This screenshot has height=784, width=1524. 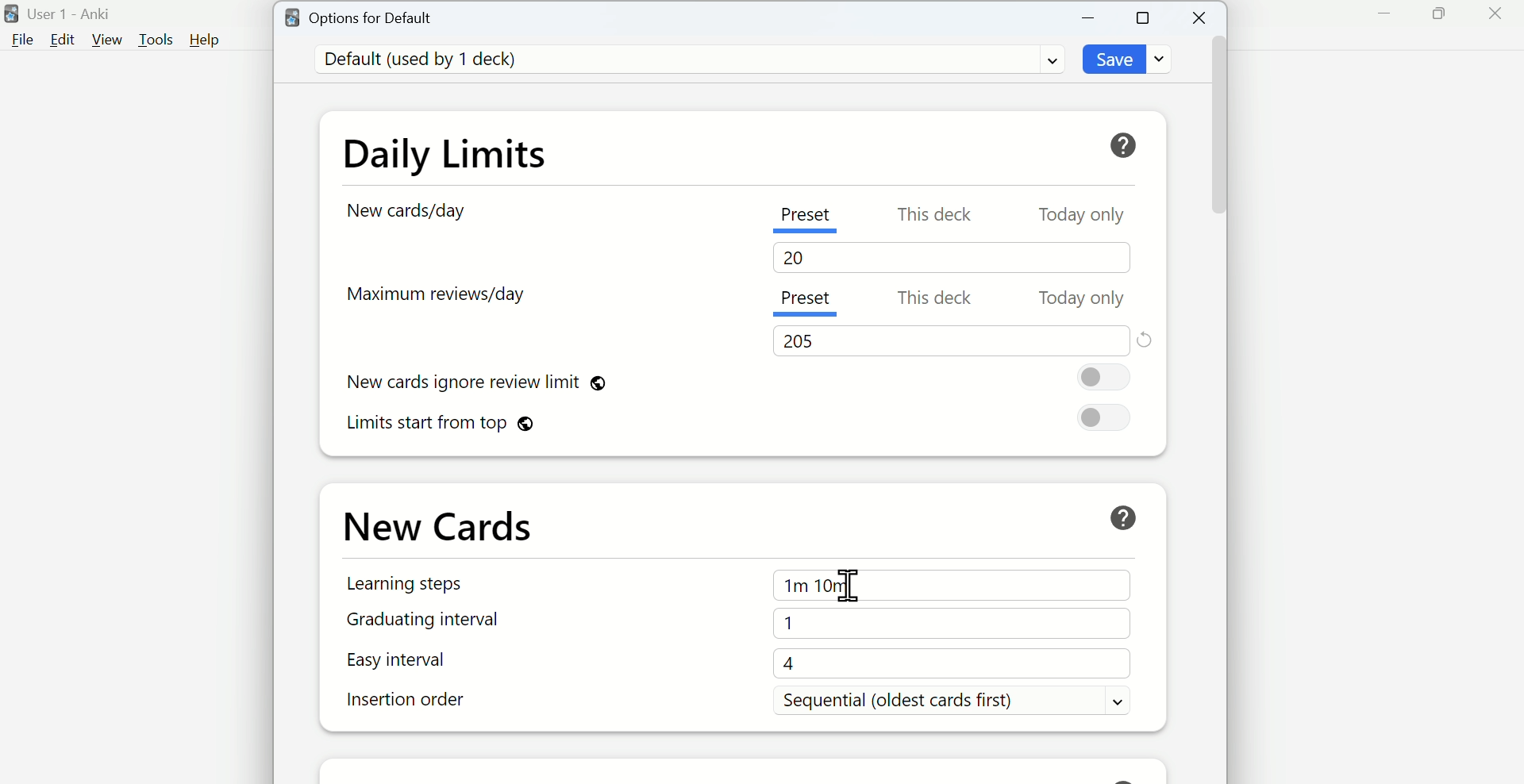 What do you see at coordinates (814, 218) in the screenshot?
I see `Preset` at bounding box center [814, 218].